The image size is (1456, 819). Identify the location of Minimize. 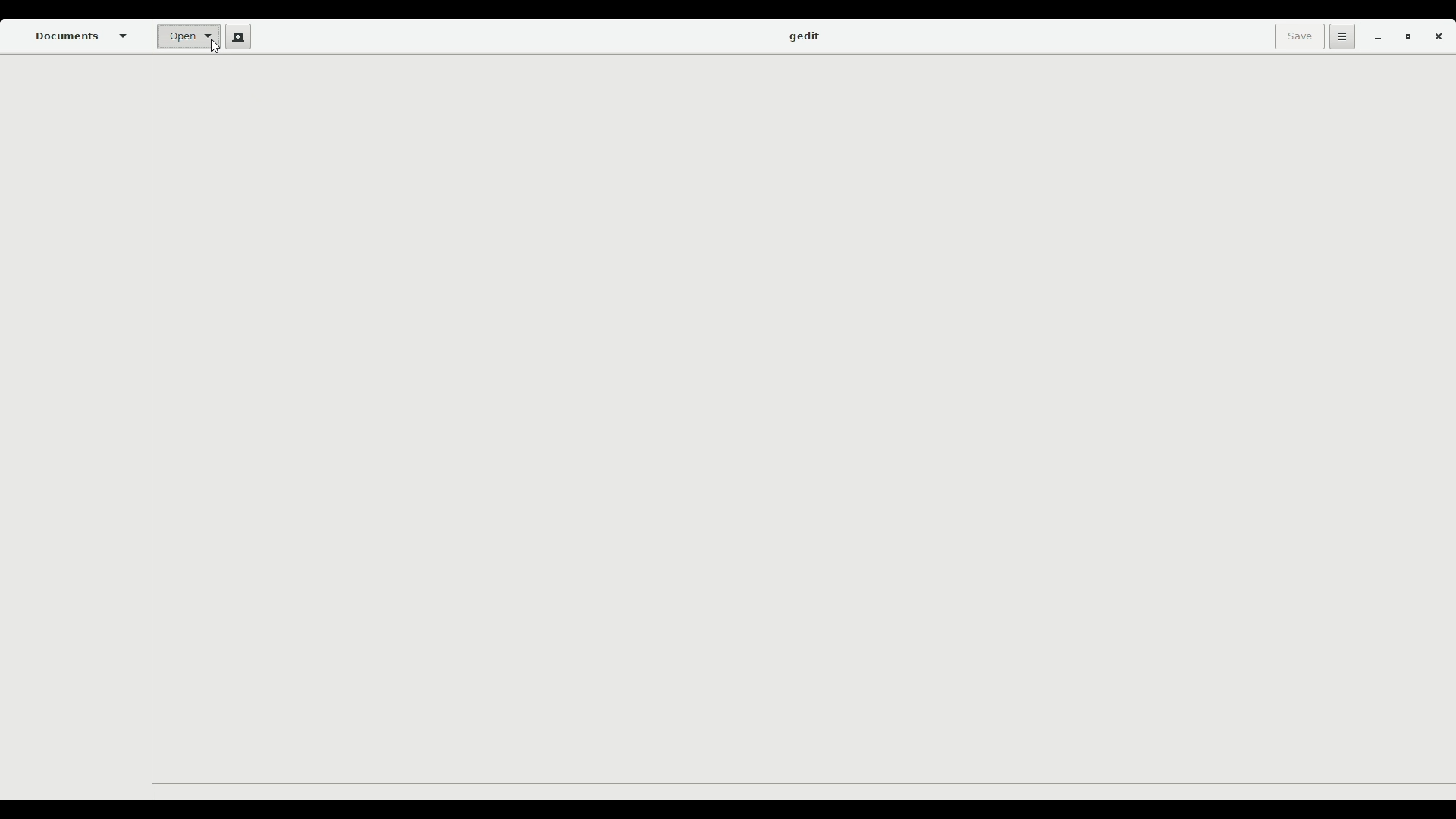
(1373, 38).